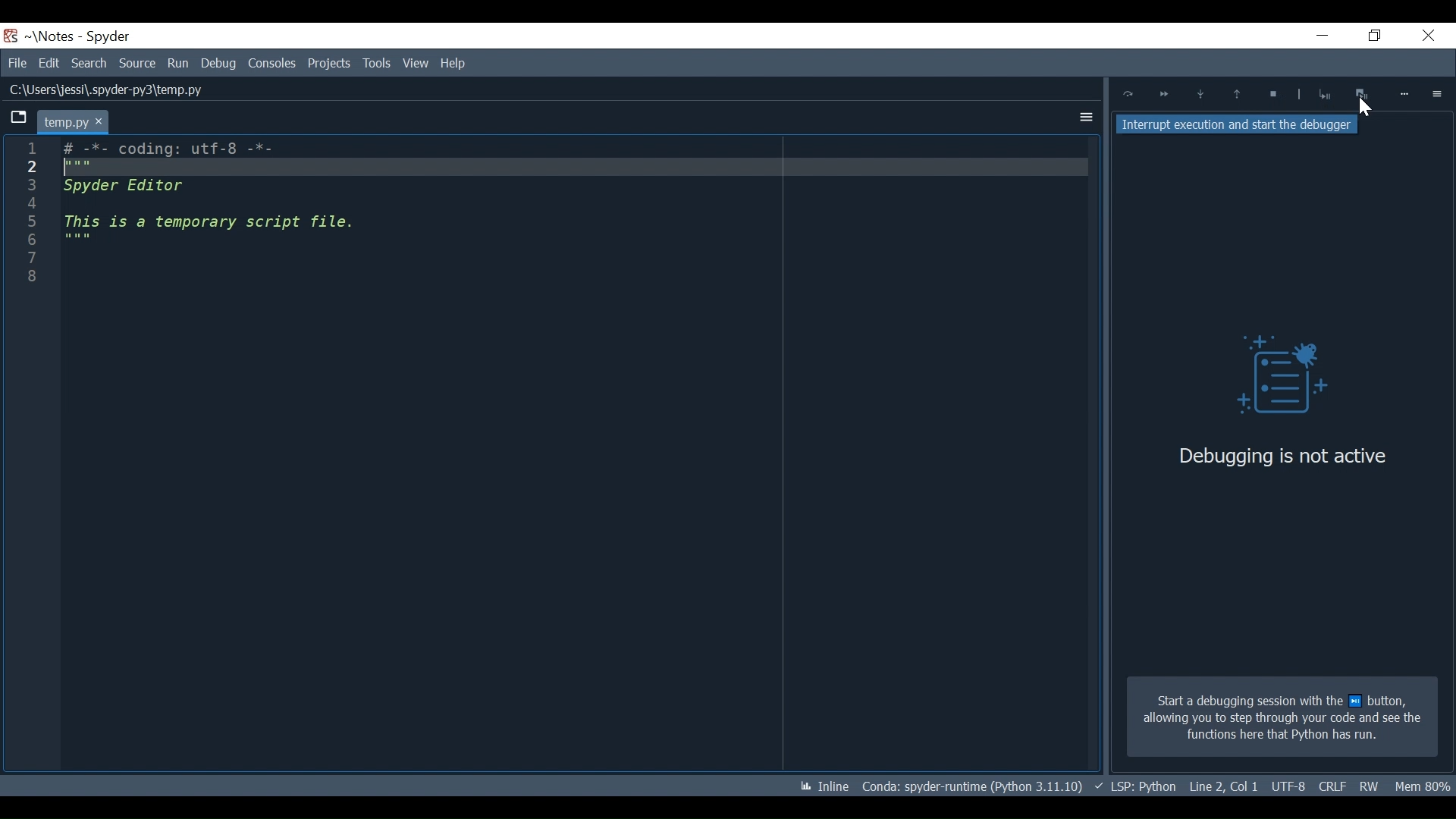 The image size is (1456, 819). I want to click on Spyder Desktop Icon, so click(11, 36).